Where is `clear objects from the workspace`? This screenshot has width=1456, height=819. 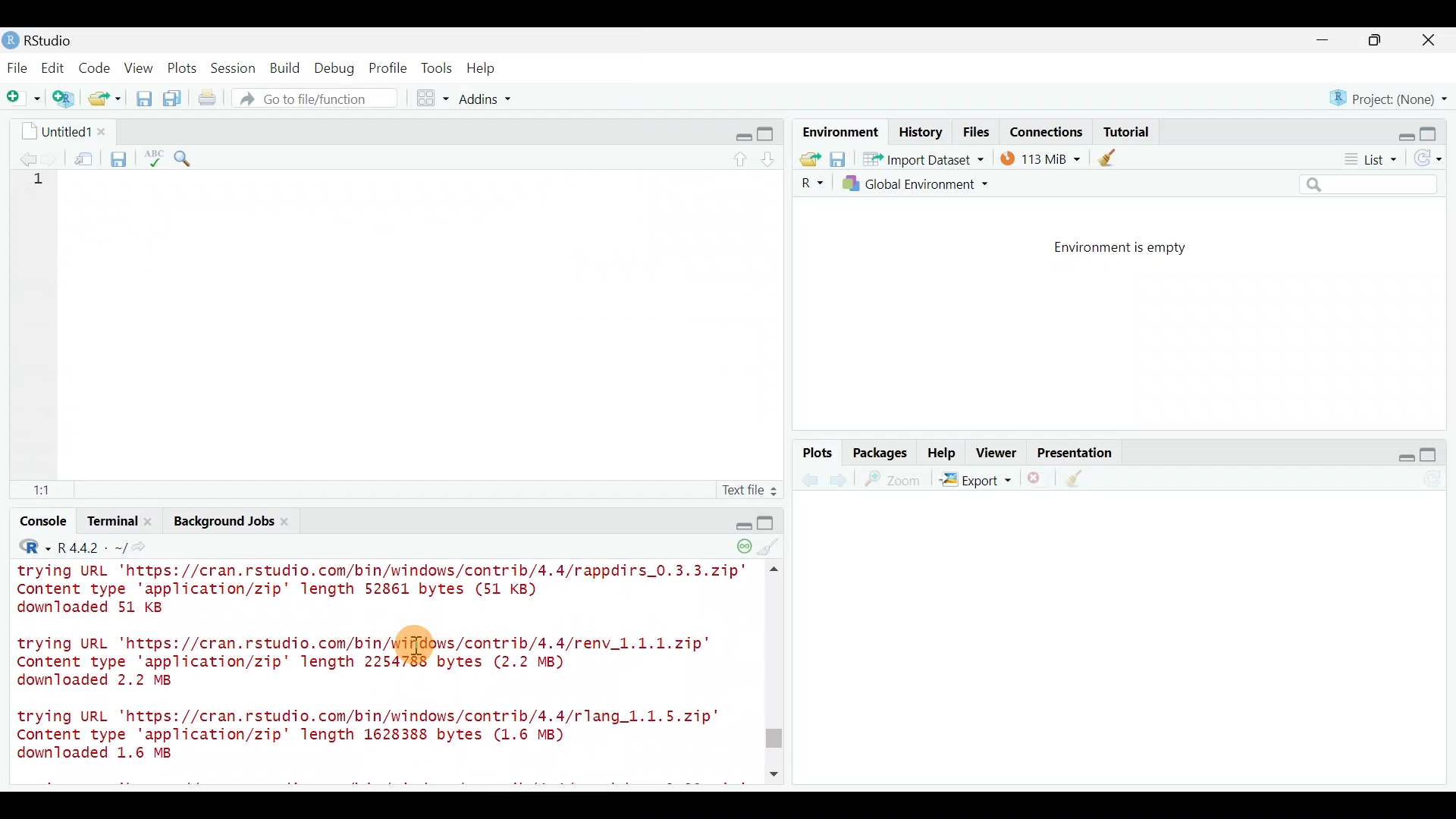 clear objects from the workspace is located at coordinates (1109, 157).